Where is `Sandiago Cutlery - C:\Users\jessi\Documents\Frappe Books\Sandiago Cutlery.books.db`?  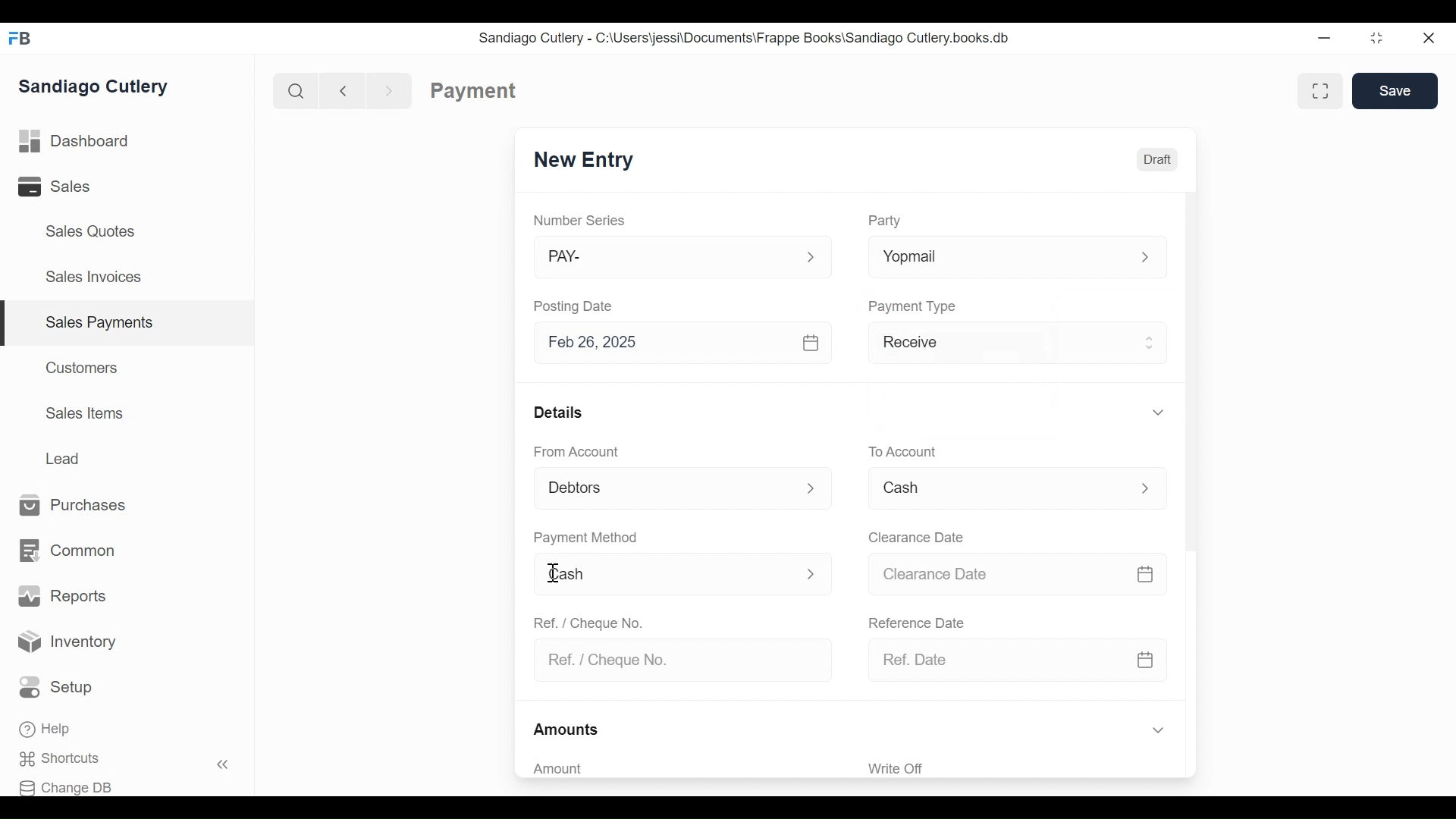
Sandiago Cutlery - C:\Users\jessi\Documents\Frappe Books\Sandiago Cutlery.books.db is located at coordinates (744, 37).